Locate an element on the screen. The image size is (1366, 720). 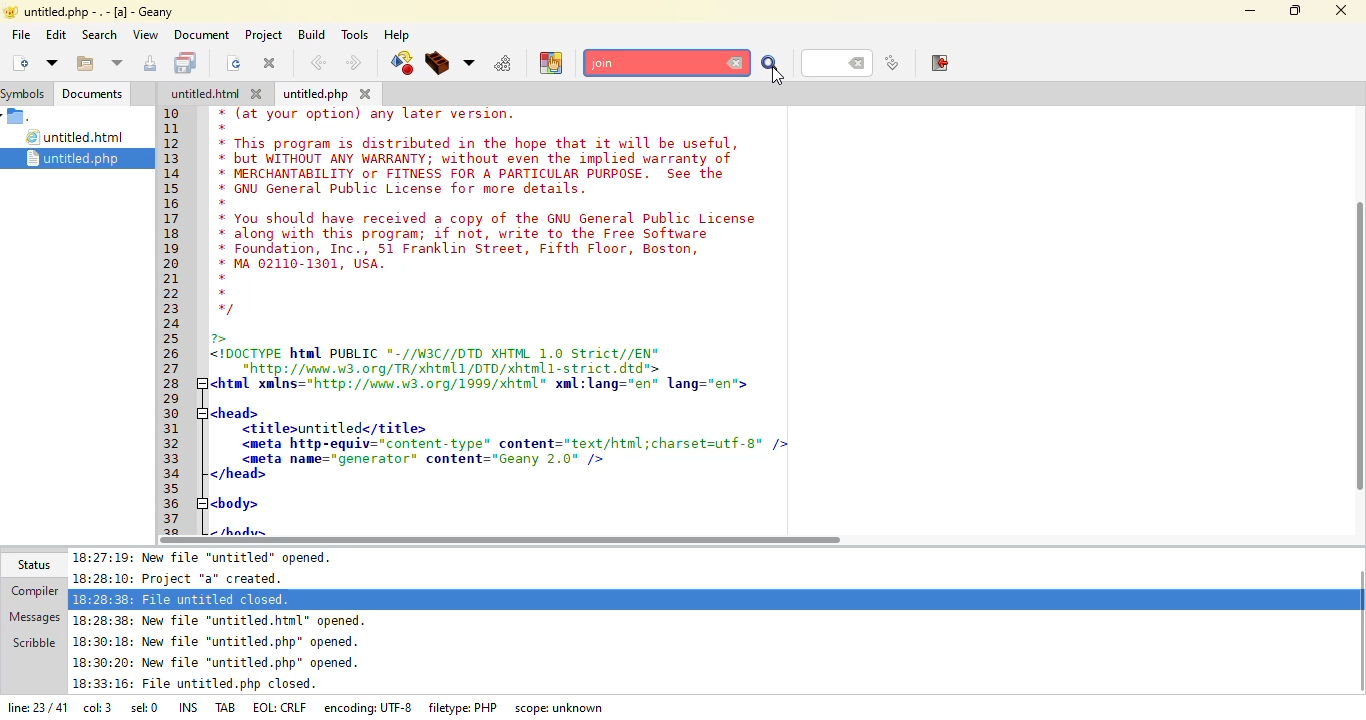
35 is located at coordinates (171, 487).